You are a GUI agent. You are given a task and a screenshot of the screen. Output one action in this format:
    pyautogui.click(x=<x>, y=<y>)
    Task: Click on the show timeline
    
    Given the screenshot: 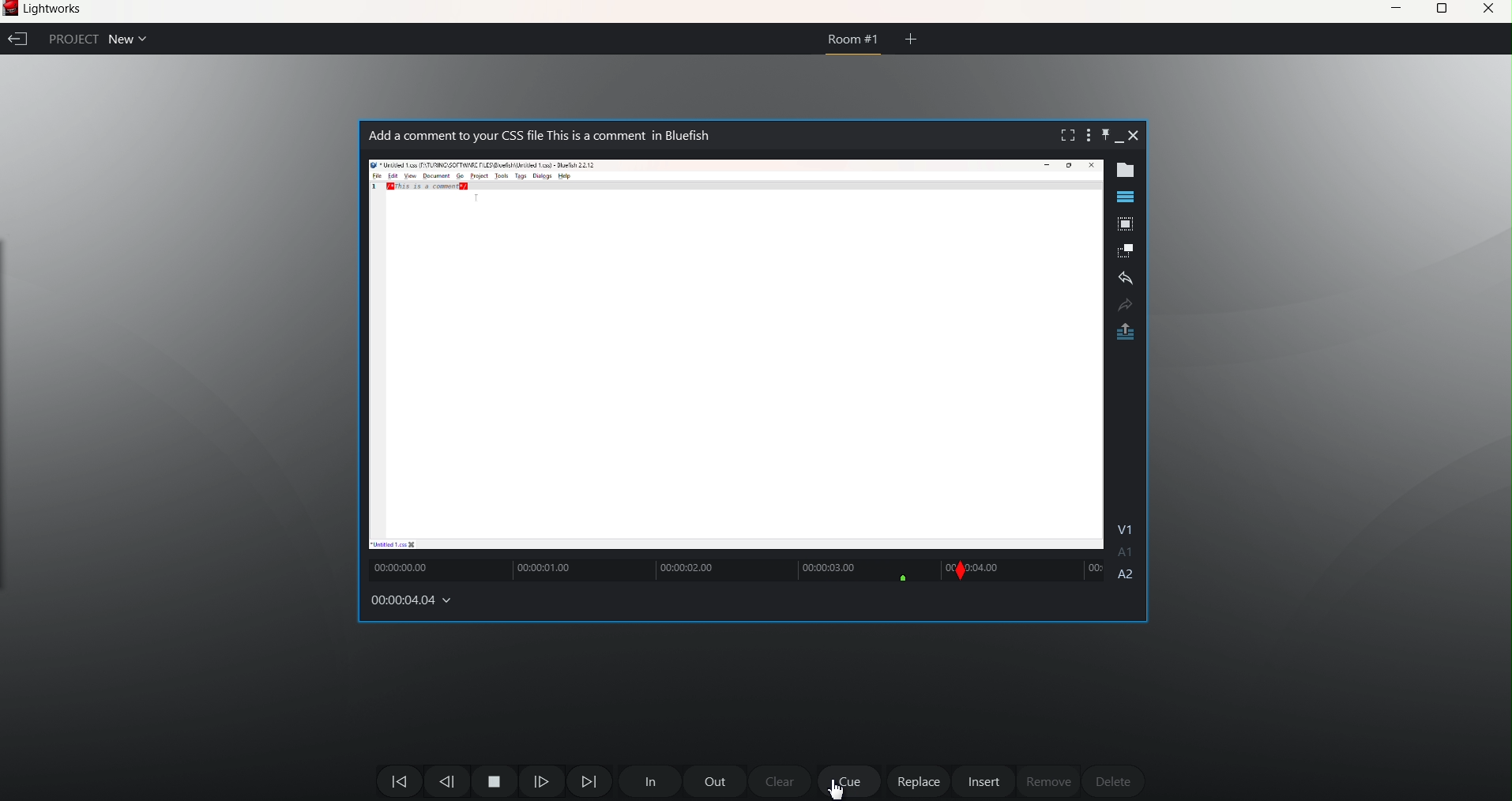 What is the action you would take?
    pyautogui.click(x=1125, y=197)
    